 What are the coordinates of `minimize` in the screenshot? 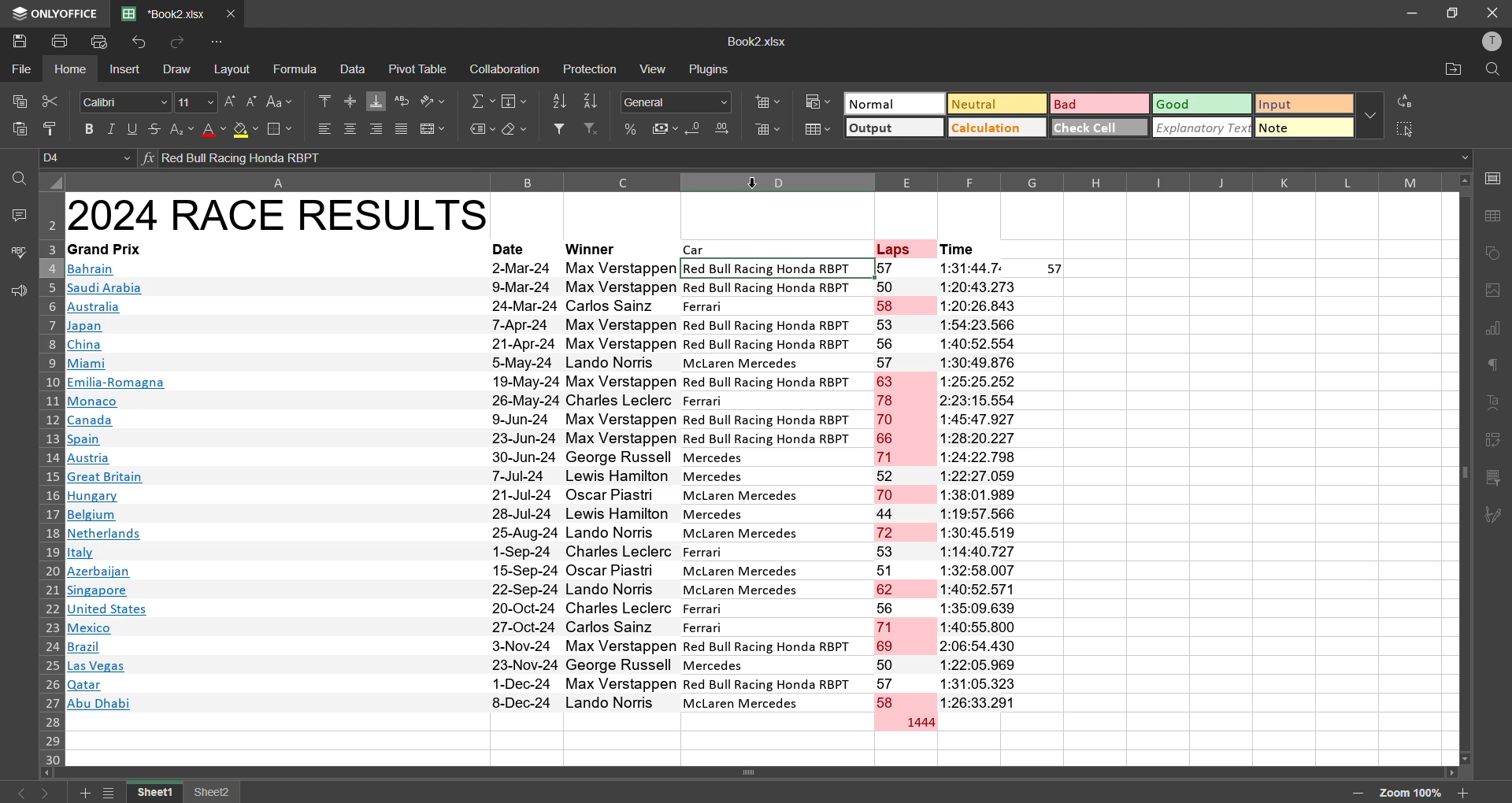 It's located at (1413, 13).